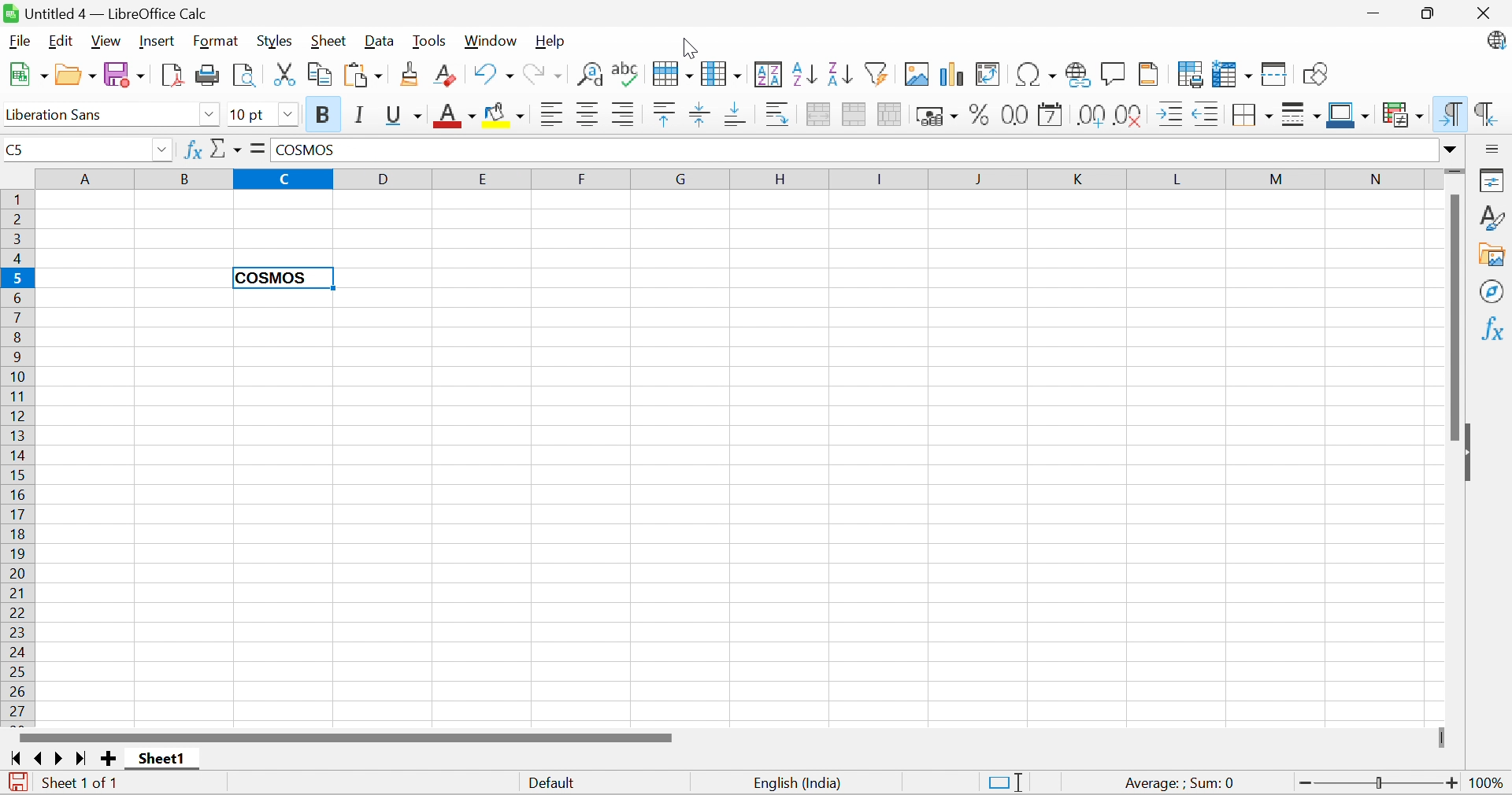  What do you see at coordinates (193, 153) in the screenshot?
I see `Function Wizard` at bounding box center [193, 153].